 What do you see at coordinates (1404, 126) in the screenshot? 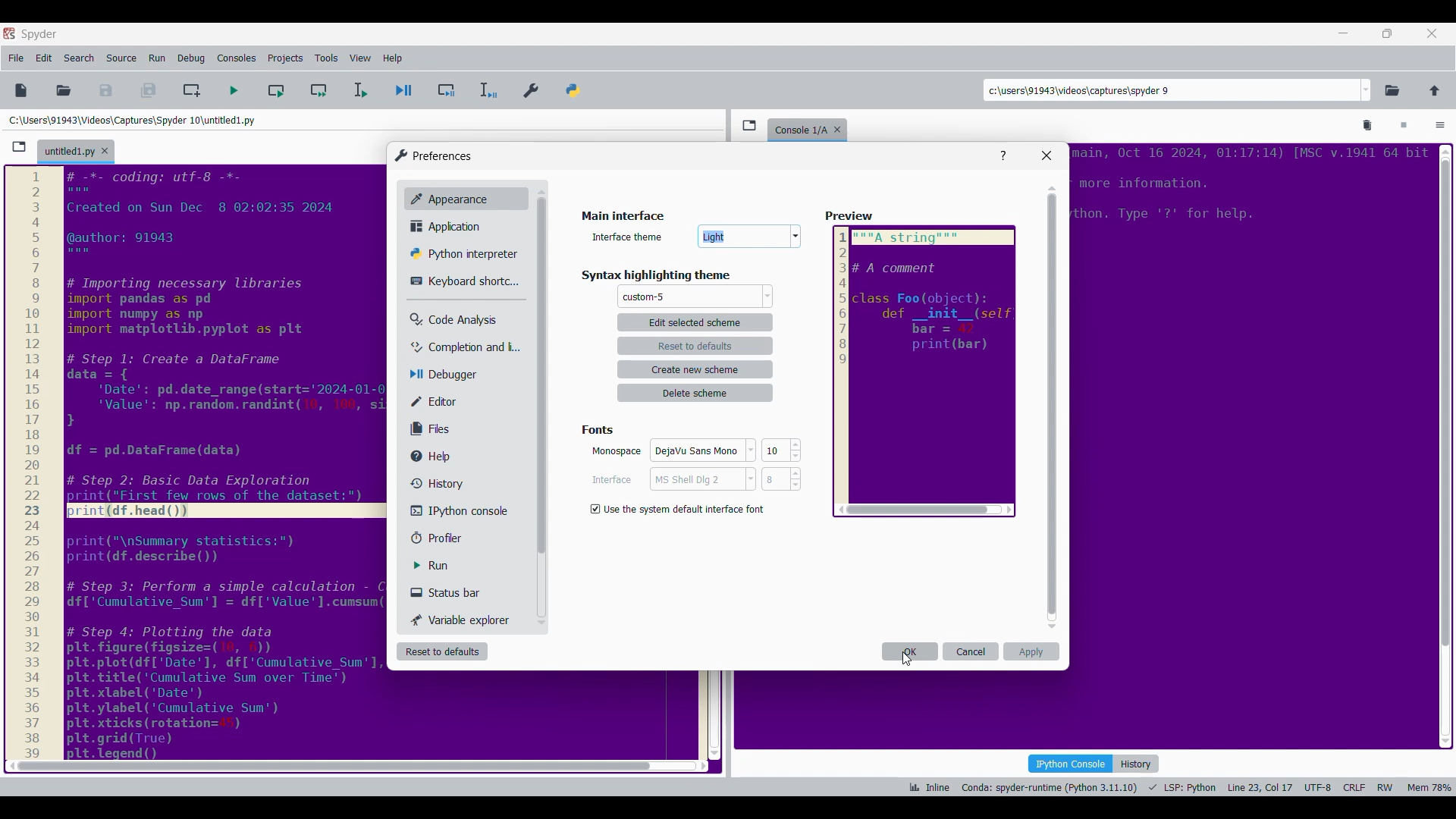
I see `Interrupt kernel` at bounding box center [1404, 126].